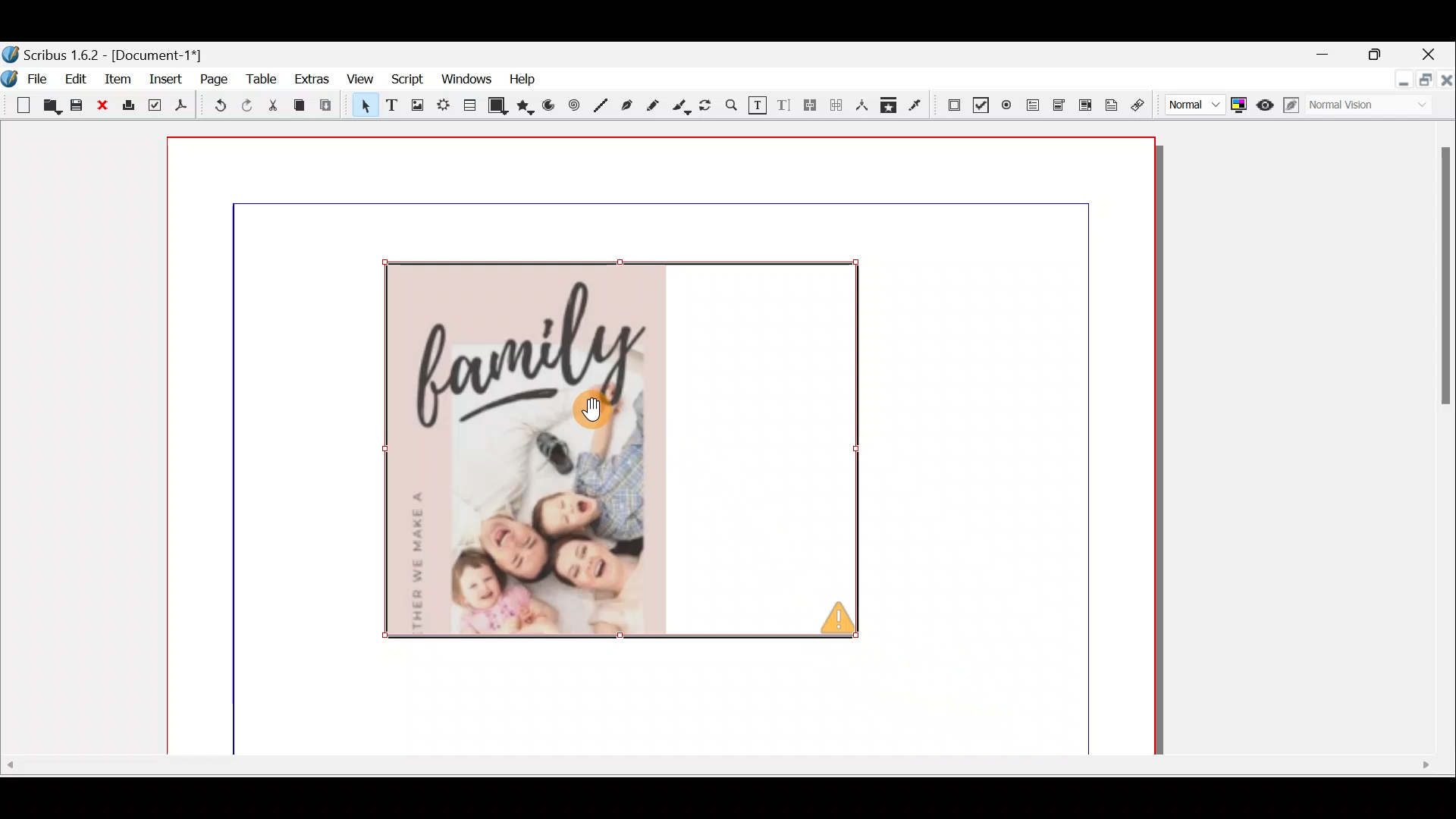 This screenshot has height=819, width=1456. What do you see at coordinates (394, 107) in the screenshot?
I see `Text frame` at bounding box center [394, 107].